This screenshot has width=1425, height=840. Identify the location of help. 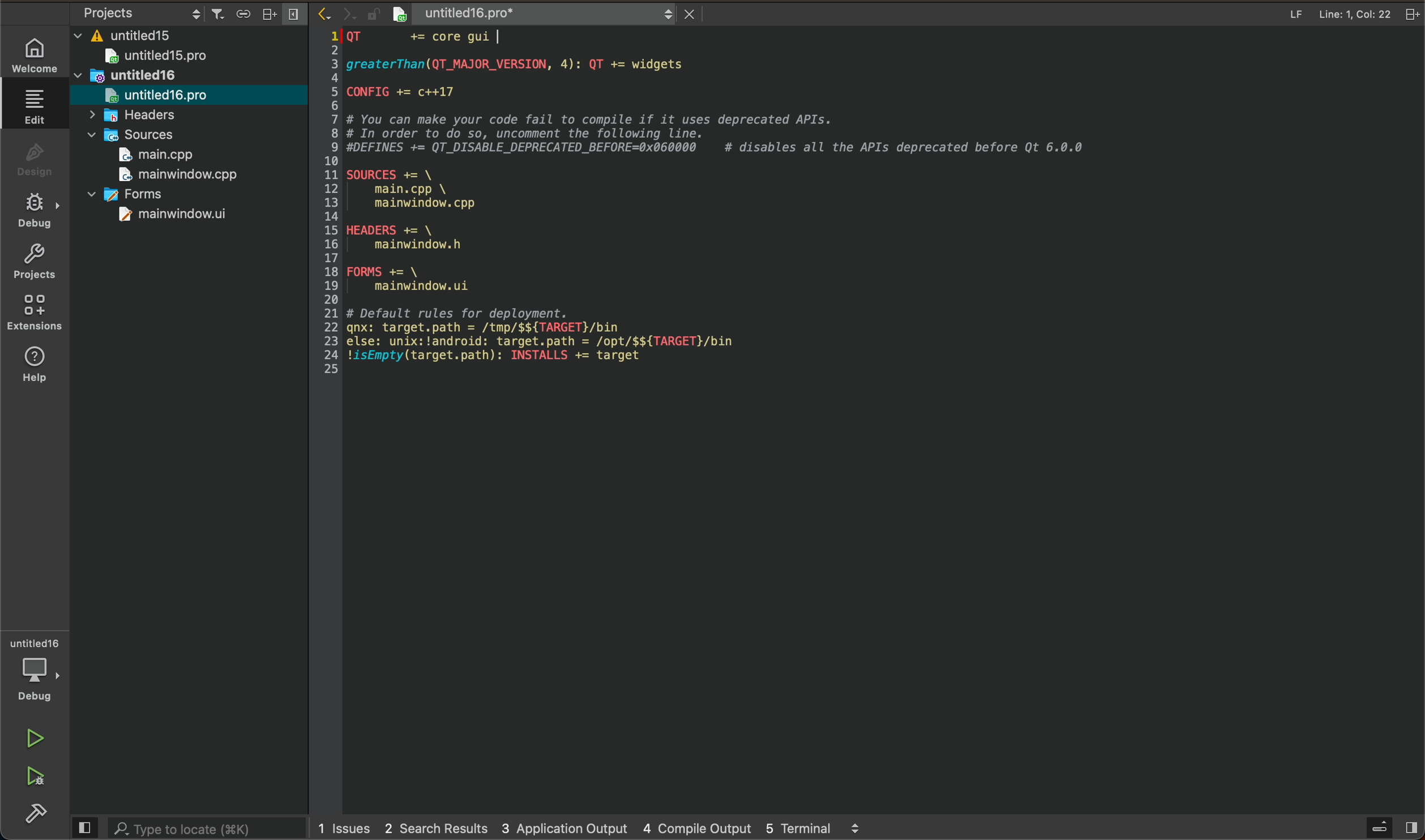
(38, 364).